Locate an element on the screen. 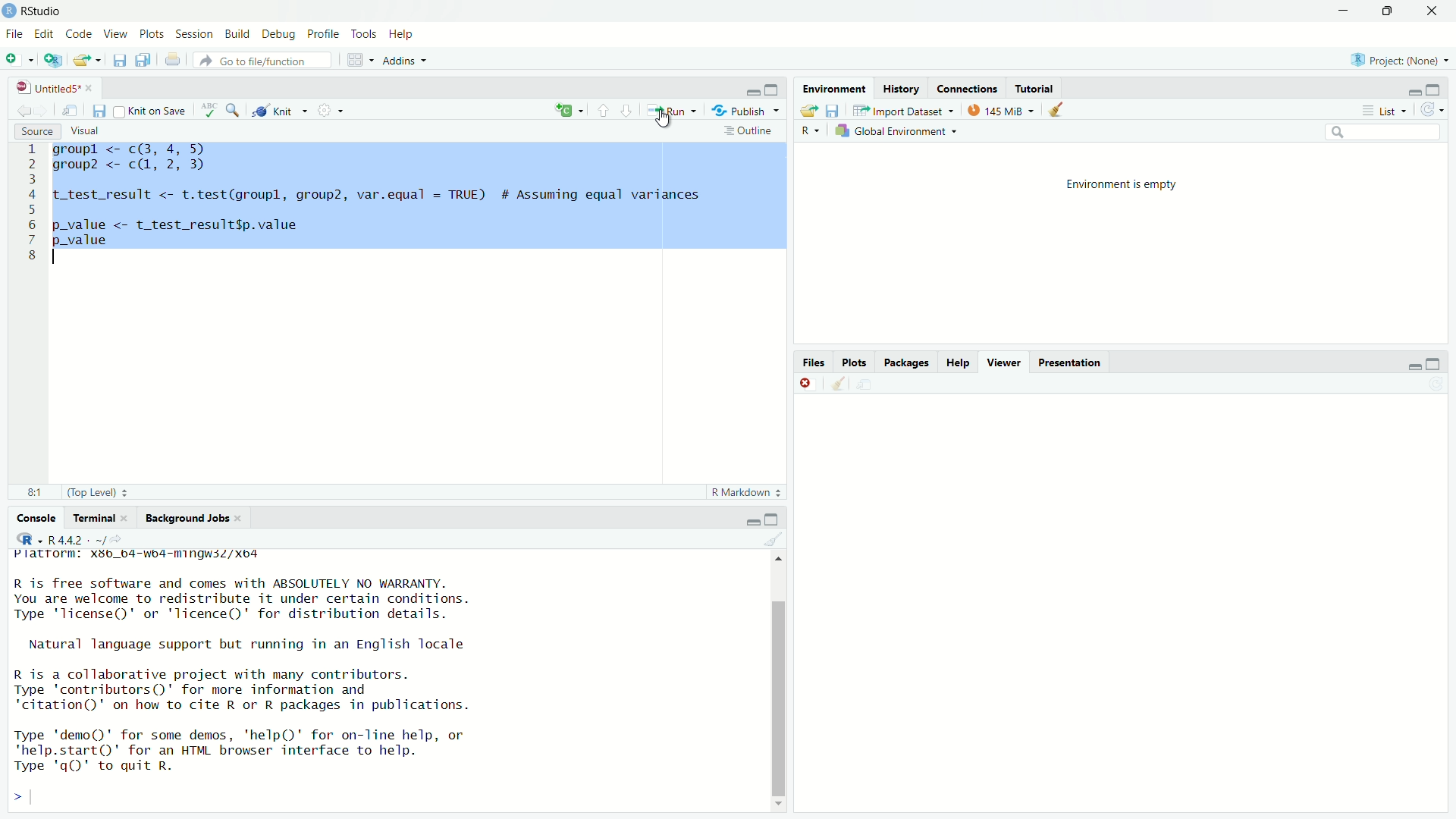   Outline is located at coordinates (747, 130).